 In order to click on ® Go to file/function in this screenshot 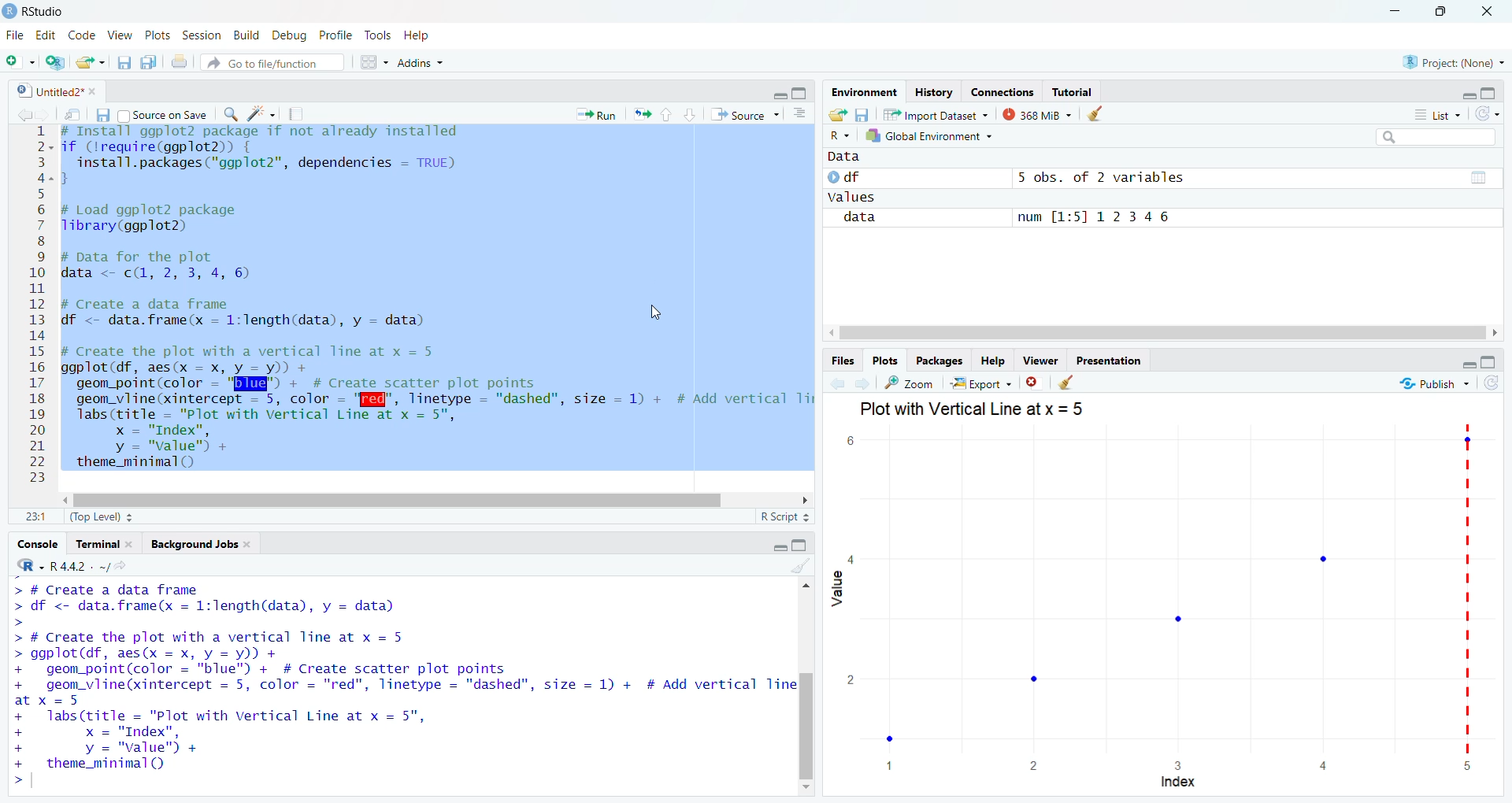, I will do `click(261, 64)`.